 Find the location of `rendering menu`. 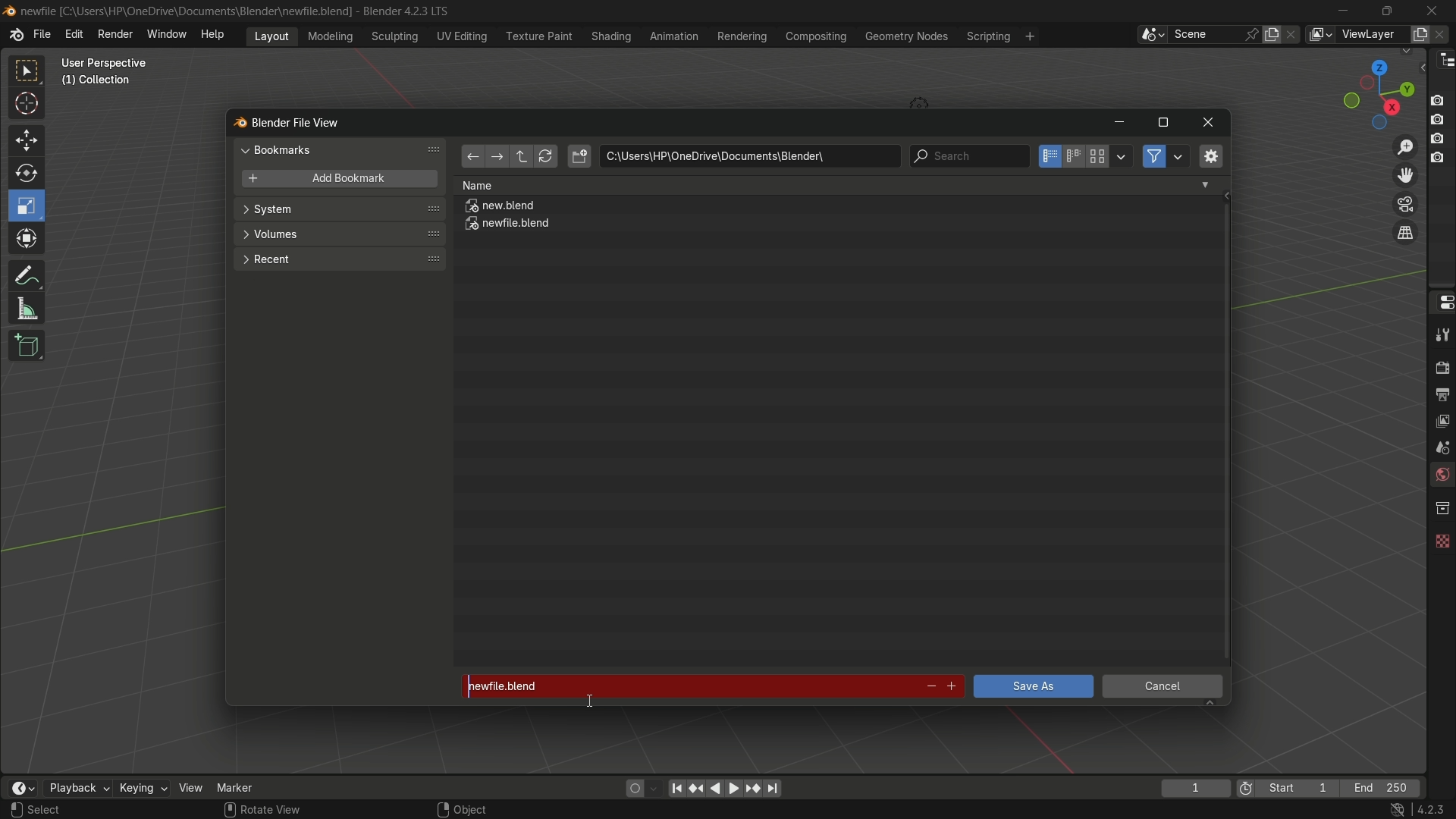

rendering menu is located at coordinates (744, 36).